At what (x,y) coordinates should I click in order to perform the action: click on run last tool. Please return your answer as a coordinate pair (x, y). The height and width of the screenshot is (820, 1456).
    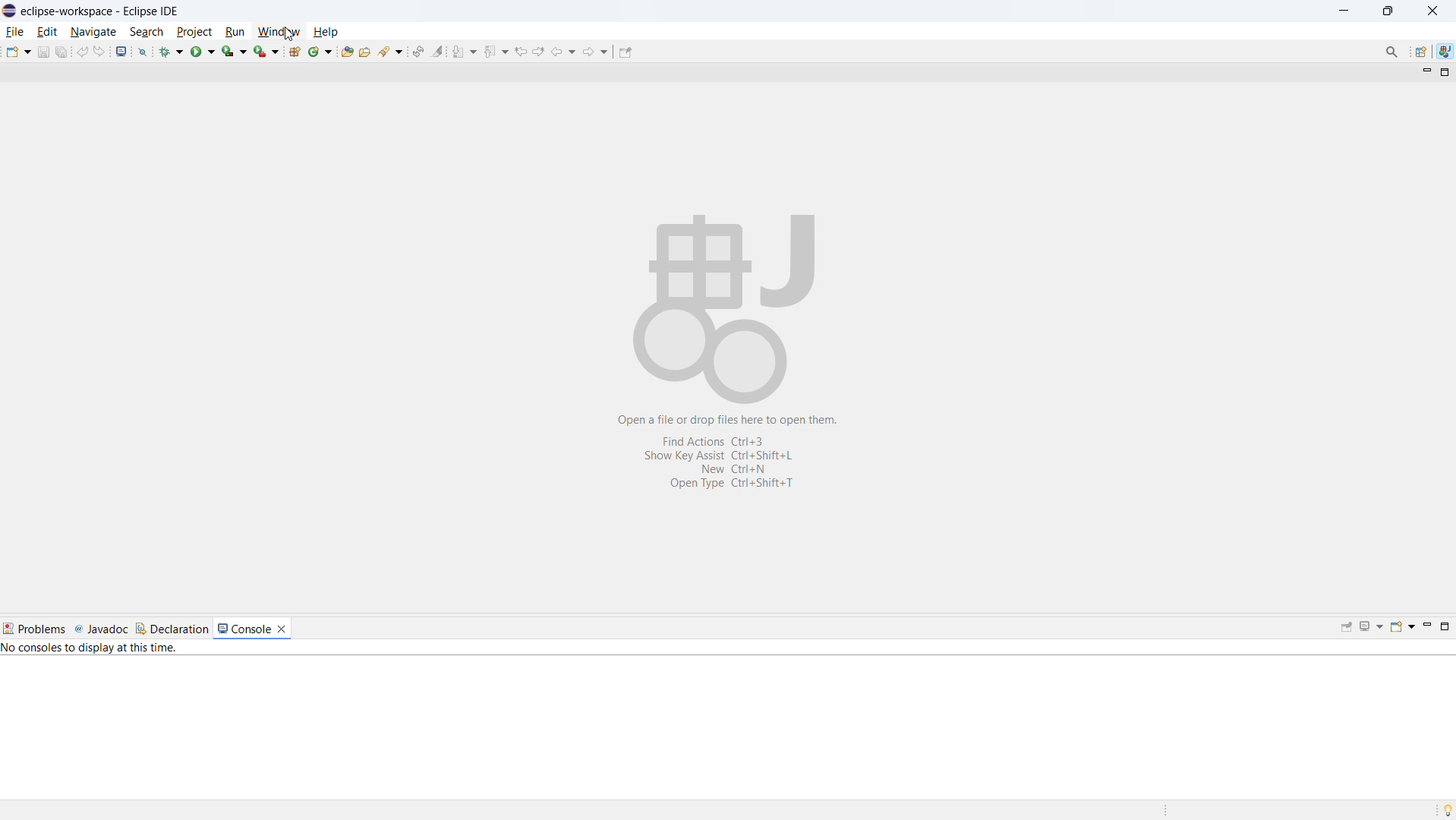
    Looking at the image, I should click on (266, 51).